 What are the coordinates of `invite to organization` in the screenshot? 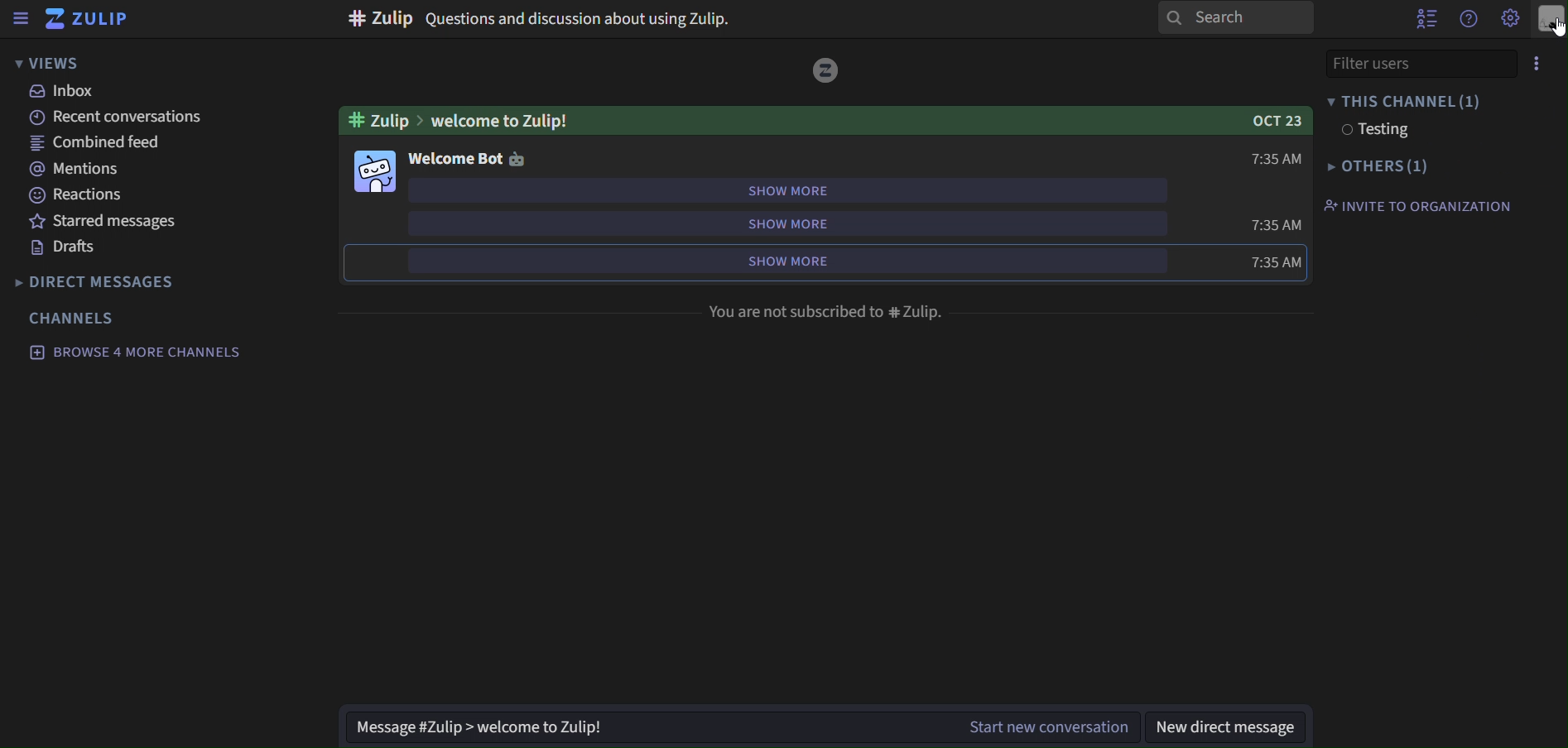 It's located at (1416, 207).